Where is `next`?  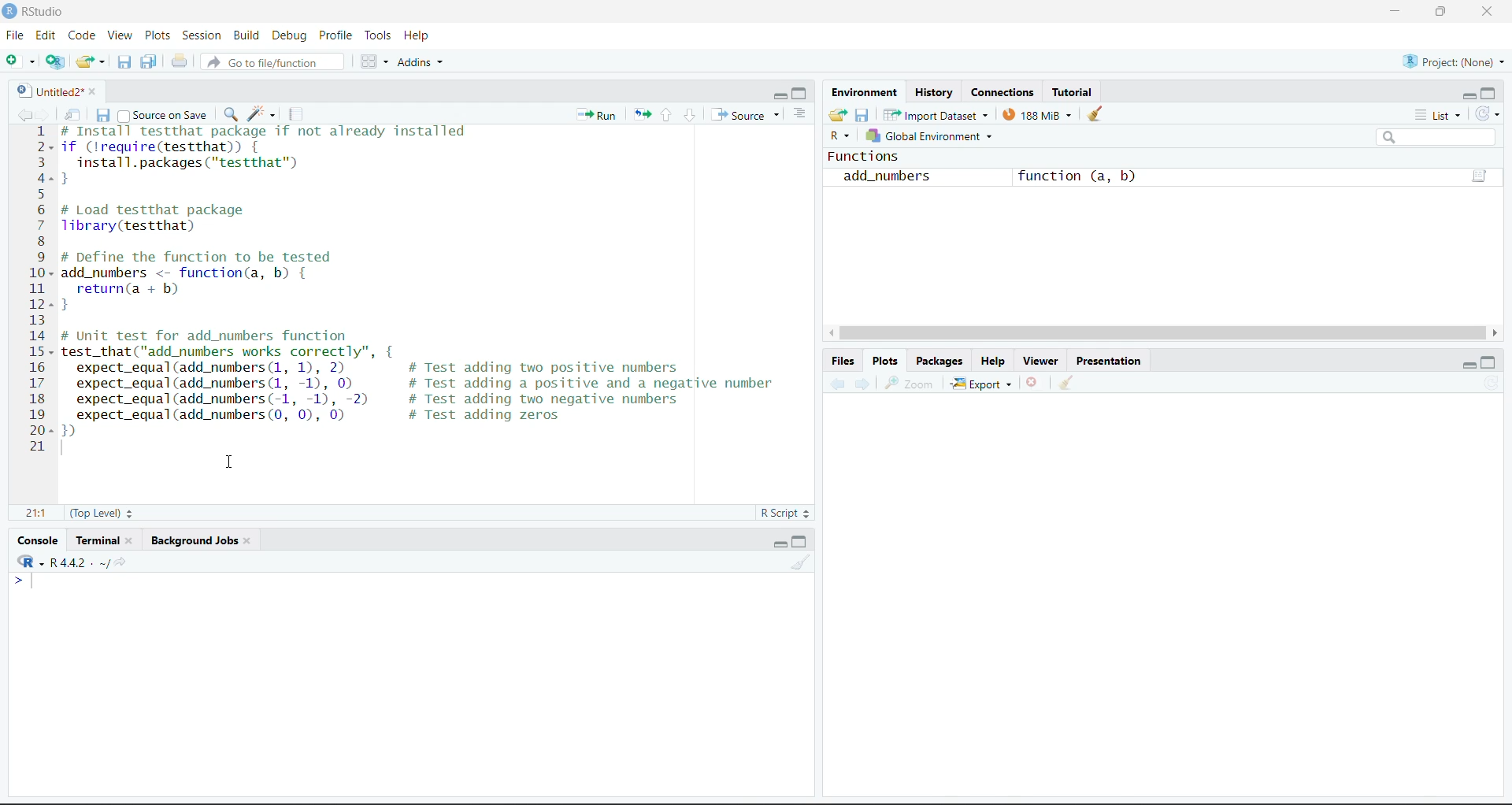 next is located at coordinates (43, 113).